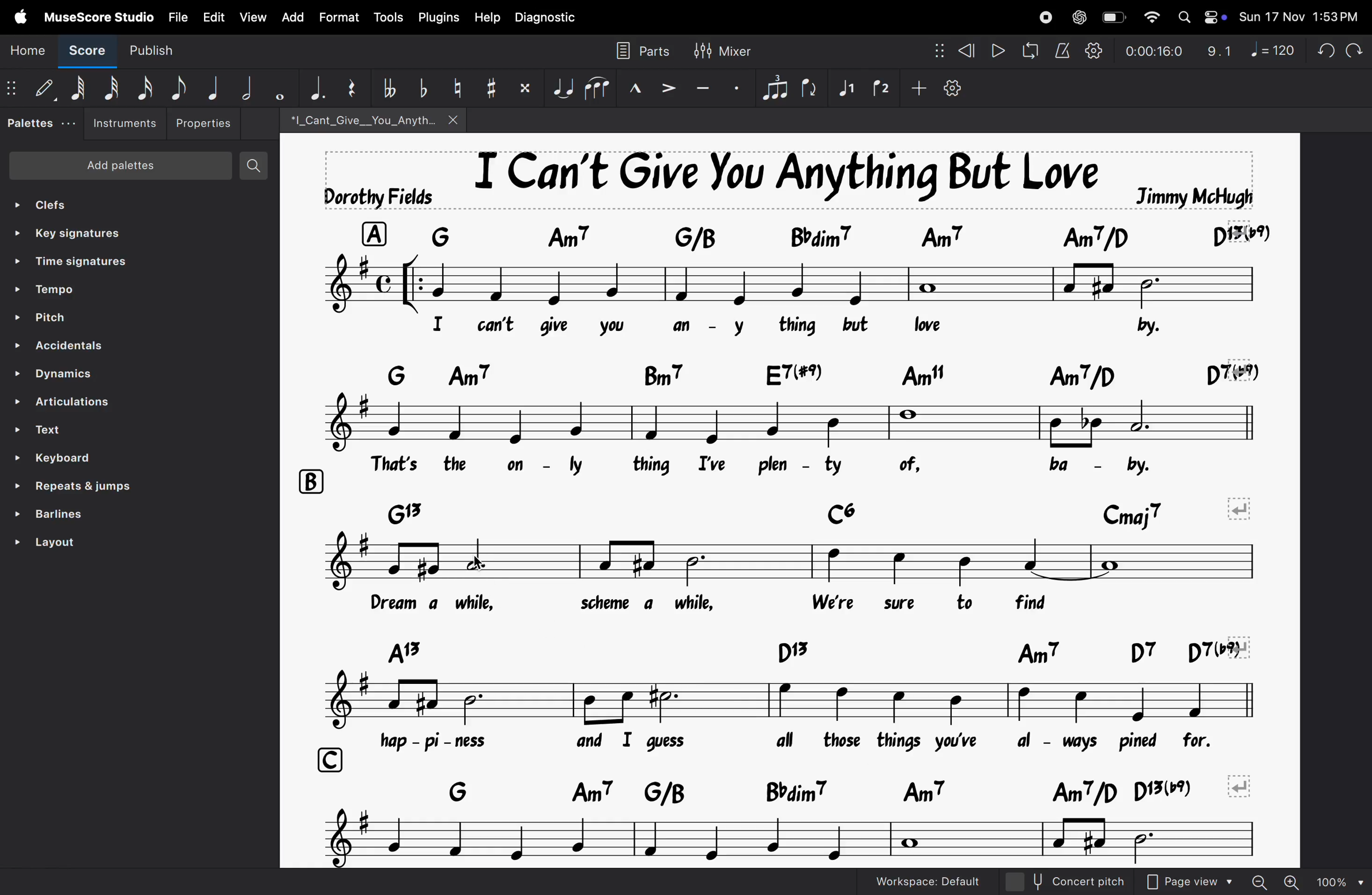 The width and height of the screenshot is (1372, 895). Describe the element at coordinates (337, 18) in the screenshot. I see `Format` at that location.